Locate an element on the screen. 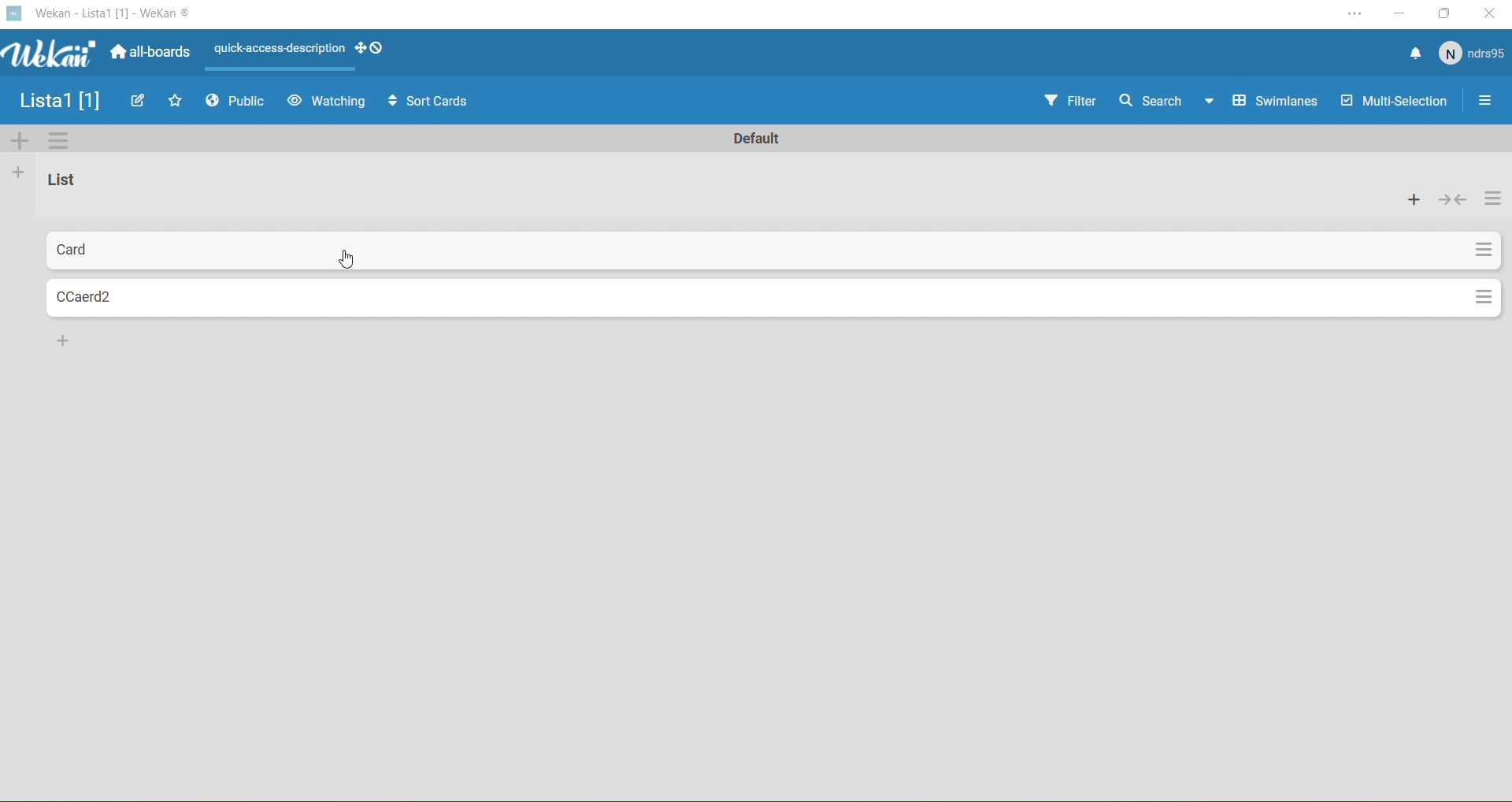 This screenshot has height=802, width=1512. drag handles is located at coordinates (372, 50).